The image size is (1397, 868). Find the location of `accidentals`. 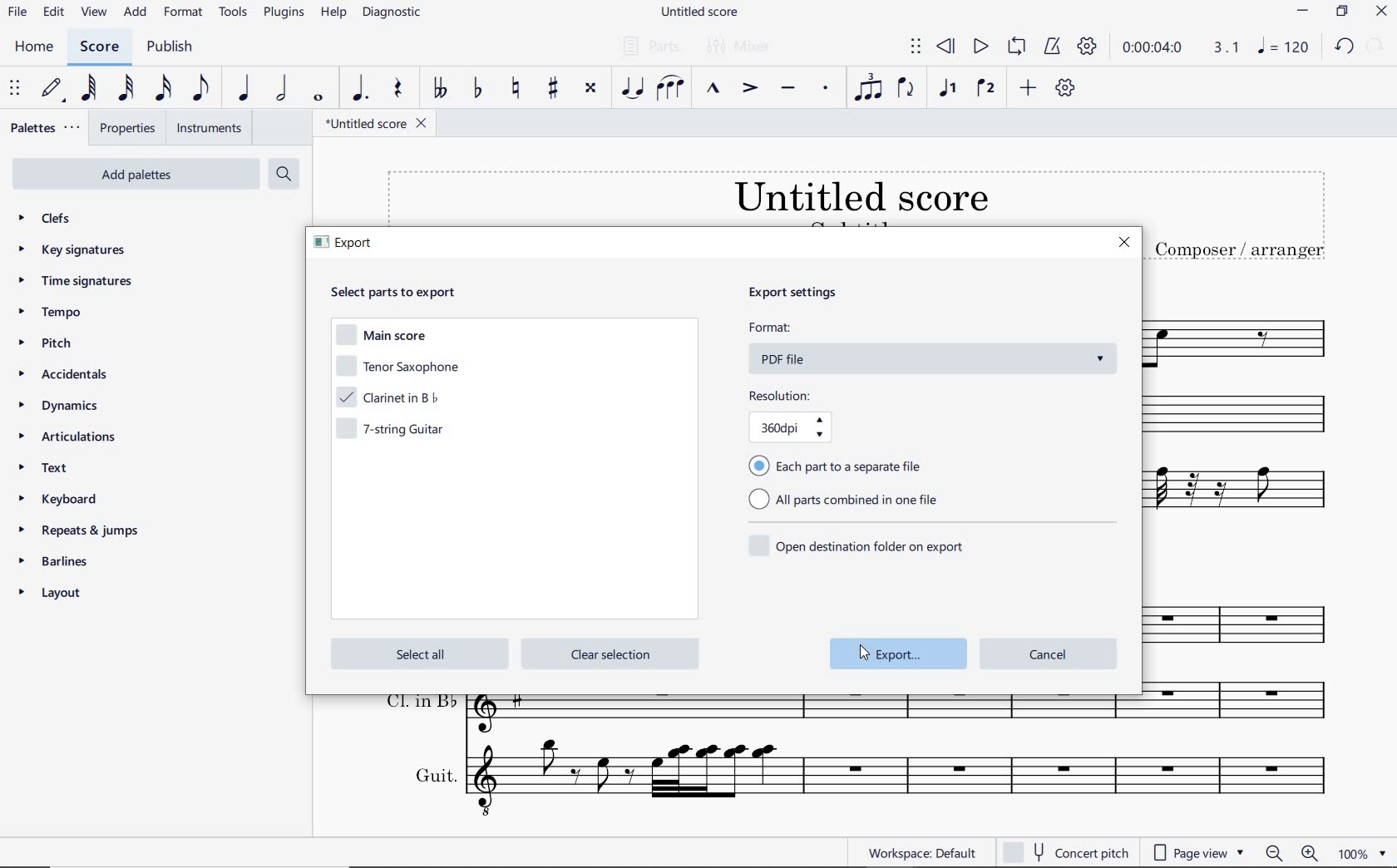

accidentals is located at coordinates (67, 377).